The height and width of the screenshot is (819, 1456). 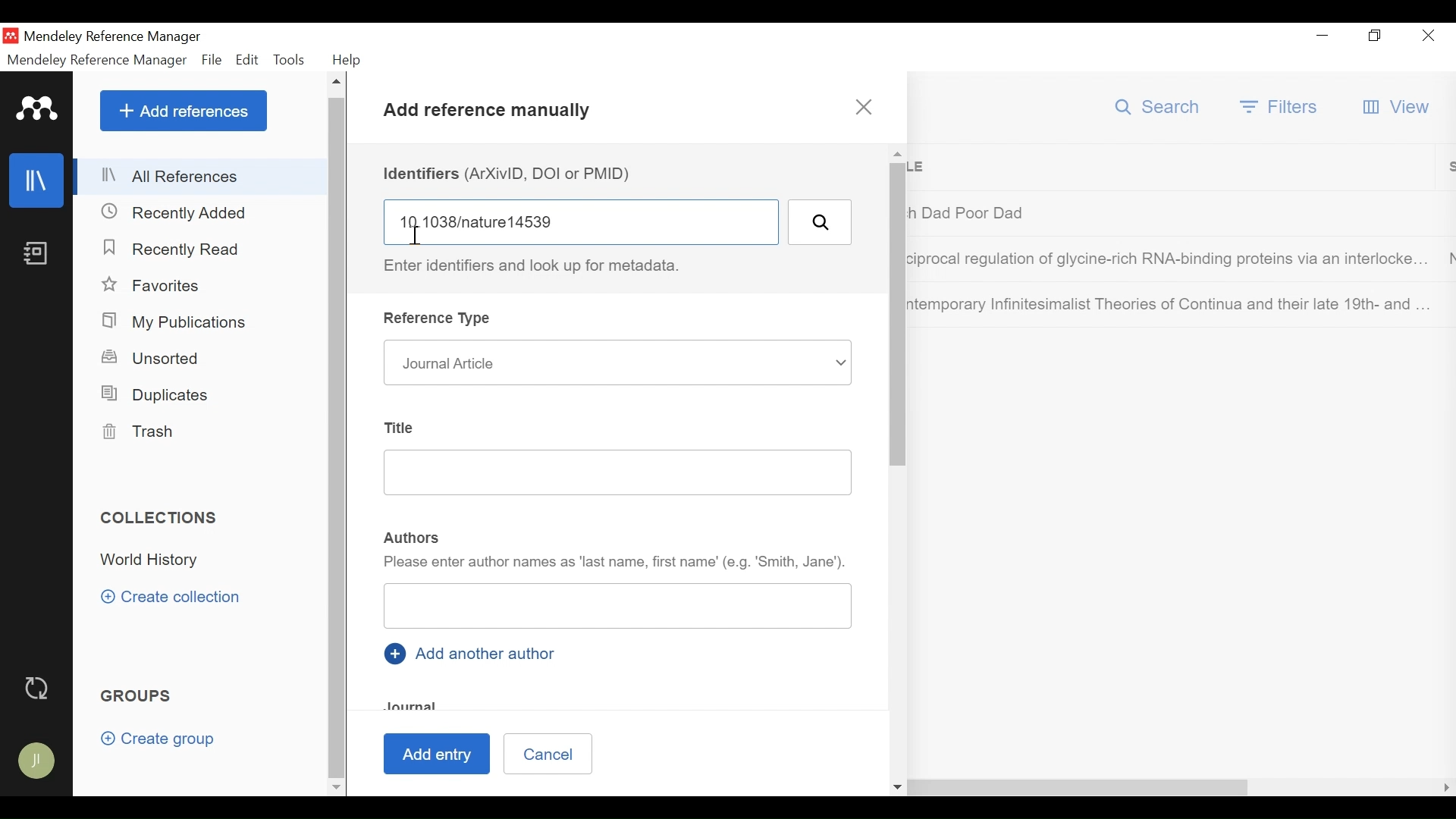 I want to click on Add References, so click(x=184, y=111).